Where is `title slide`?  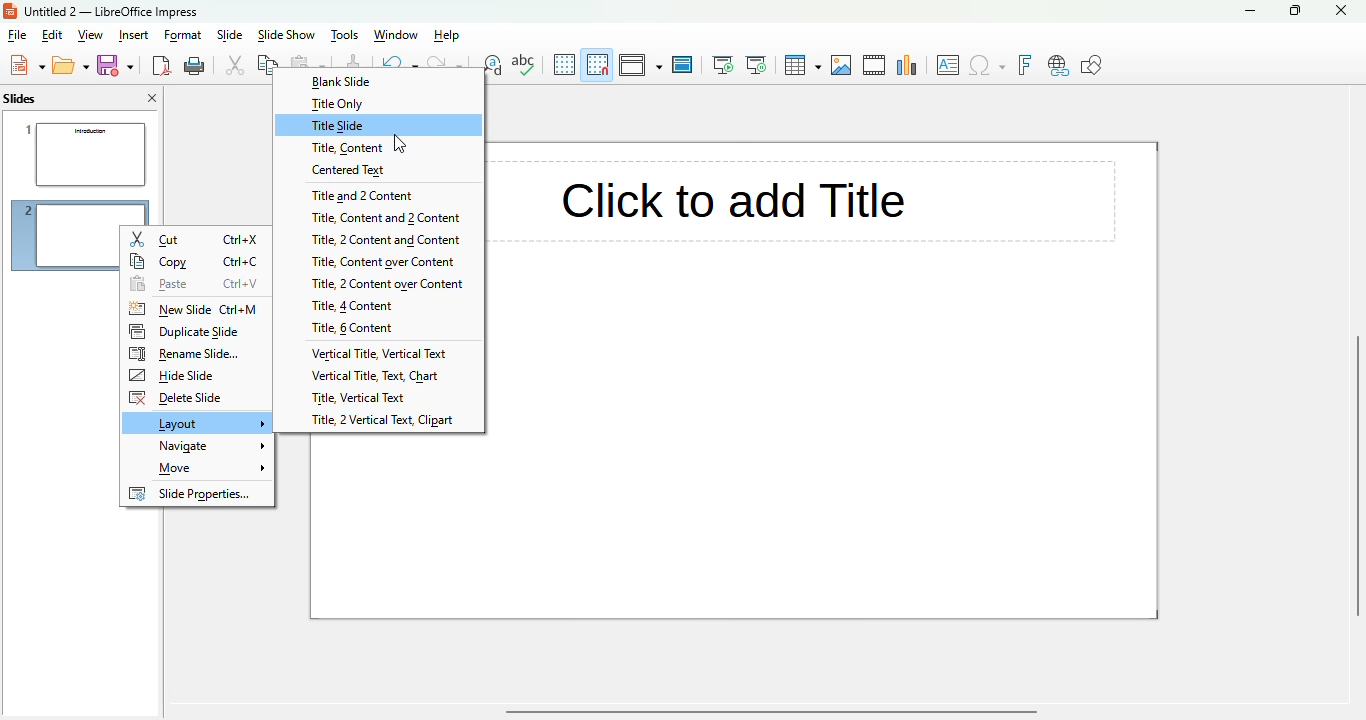
title slide is located at coordinates (379, 126).